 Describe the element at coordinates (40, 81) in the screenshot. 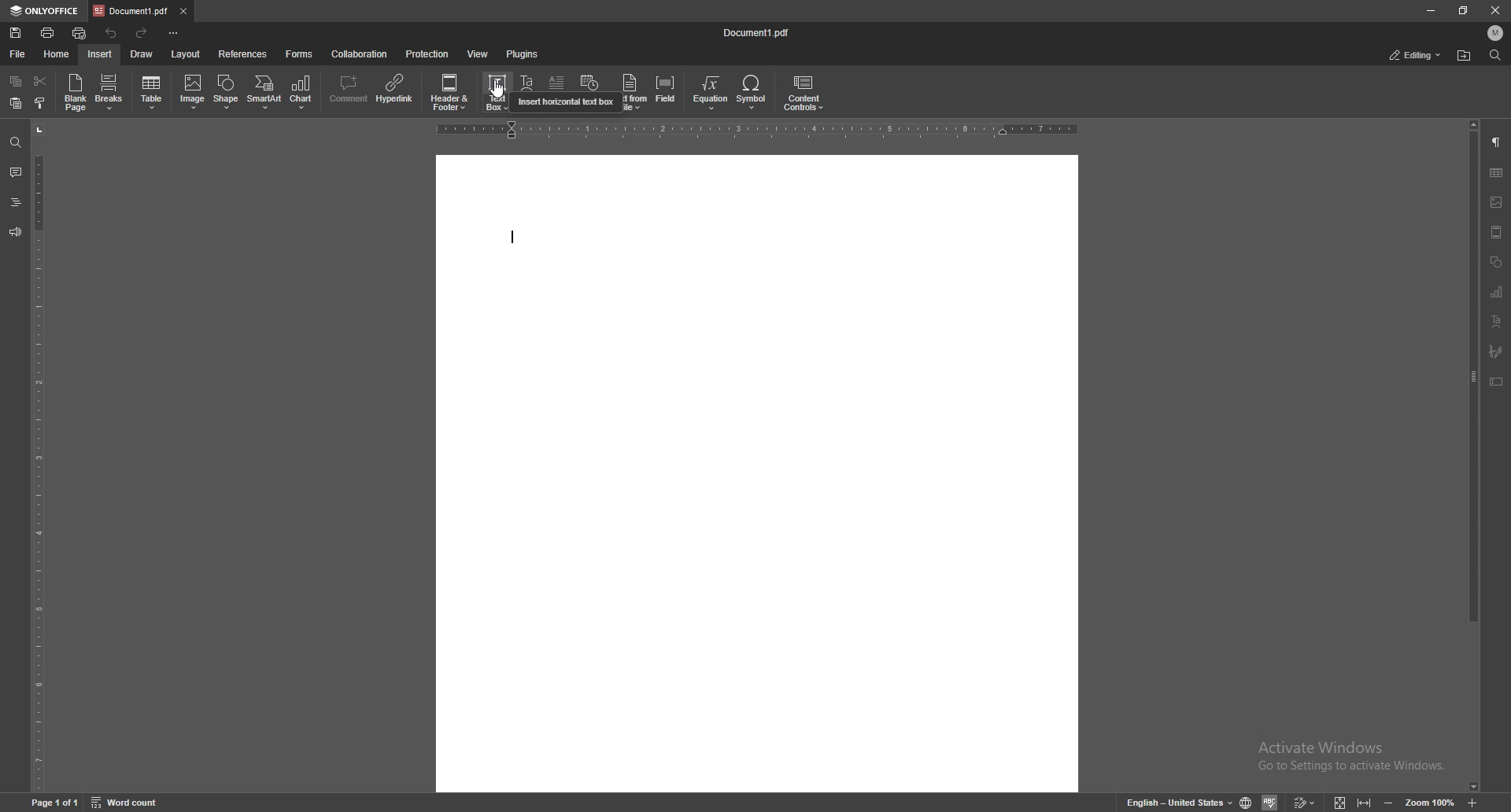

I see `cut` at that location.